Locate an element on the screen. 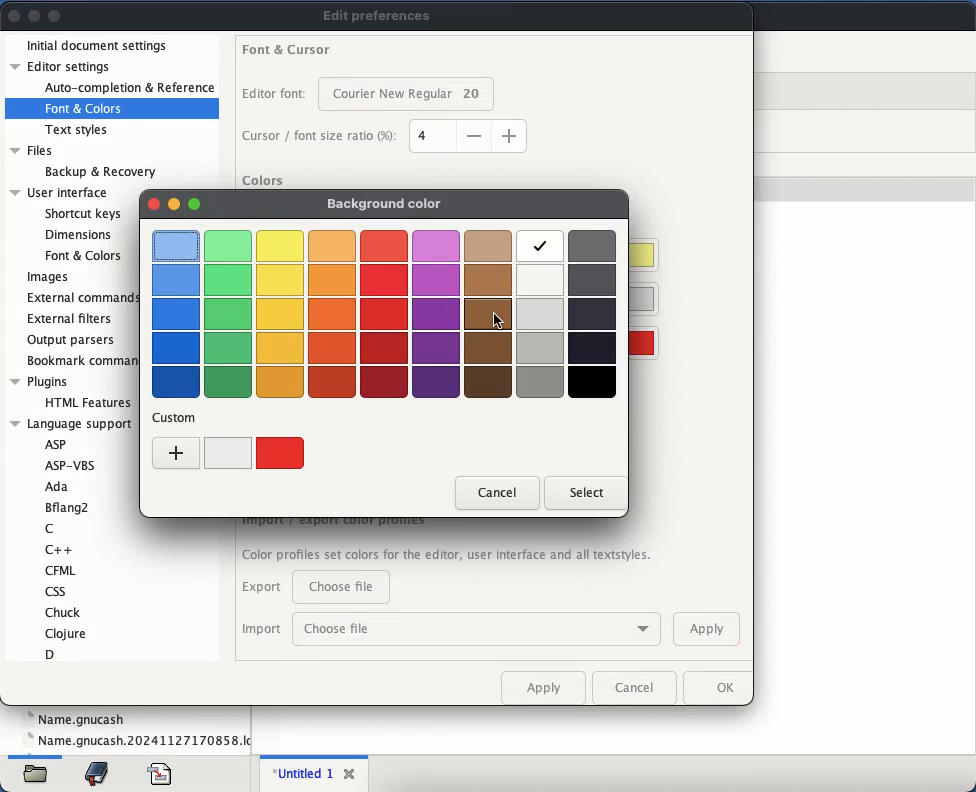 Image resolution: width=976 pixels, height=792 pixels. file is located at coordinates (37, 776).